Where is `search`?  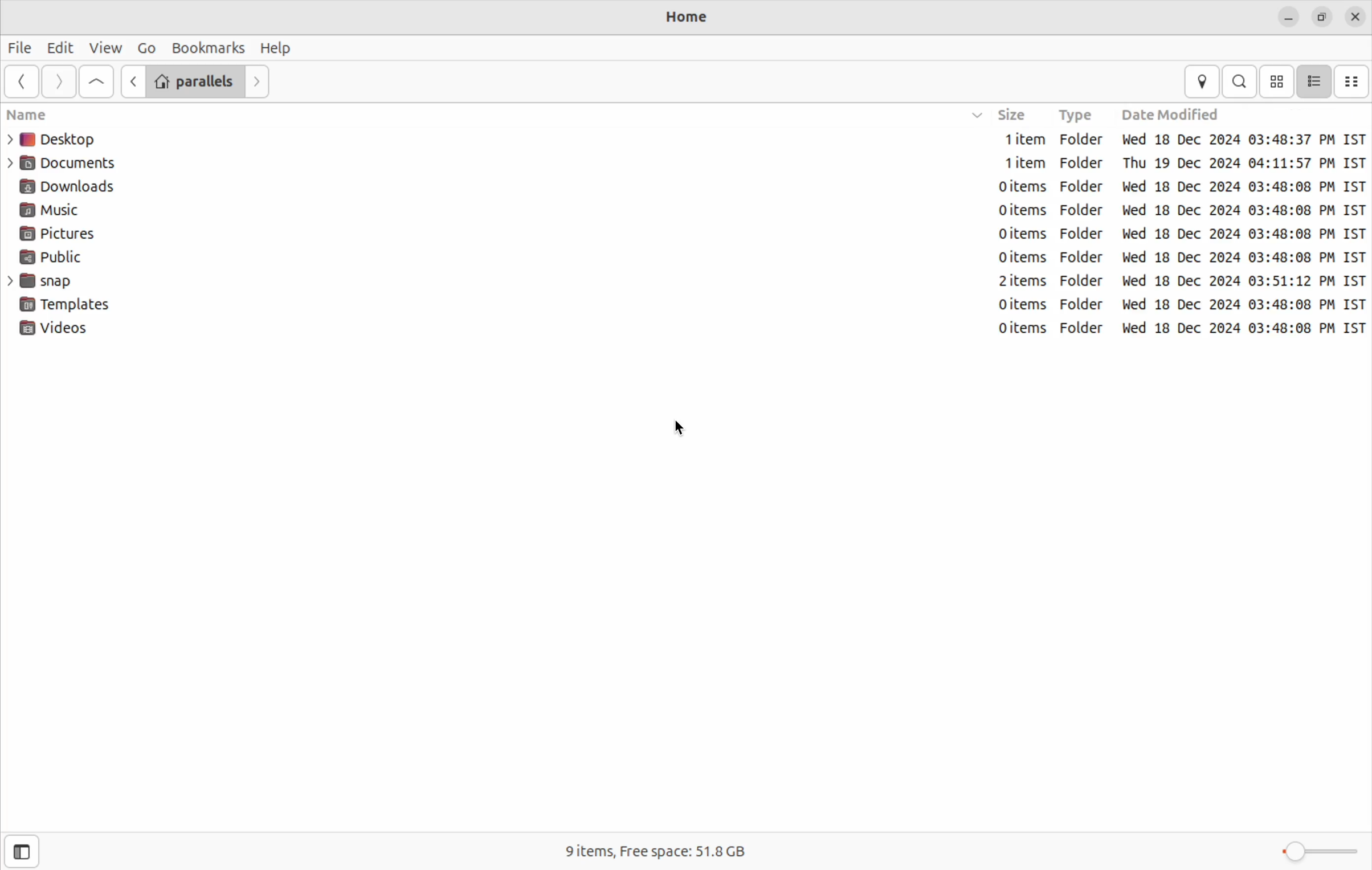 search is located at coordinates (1241, 81).